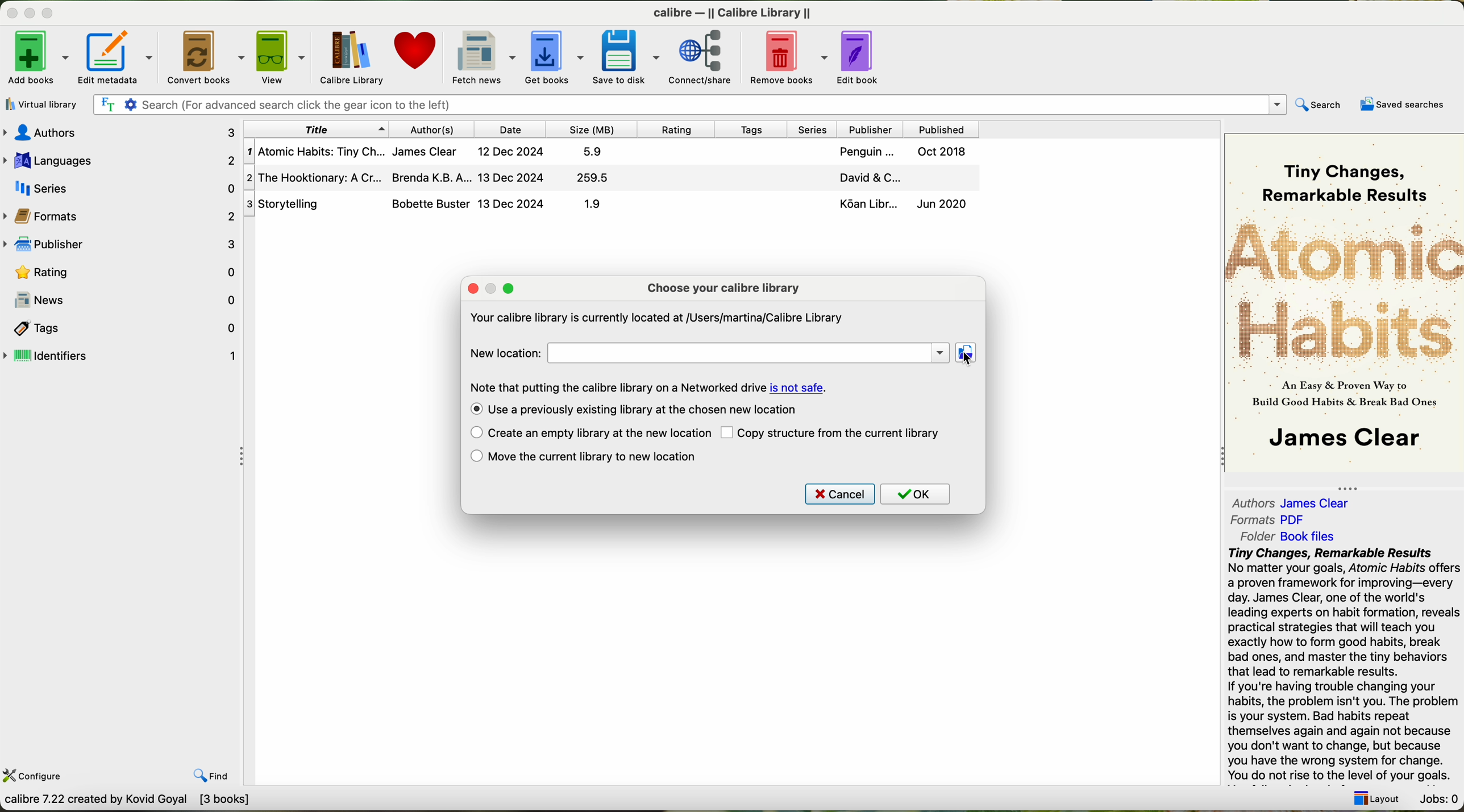 Image resolution: width=1464 pixels, height=812 pixels. What do you see at coordinates (872, 128) in the screenshot?
I see `Publisher` at bounding box center [872, 128].